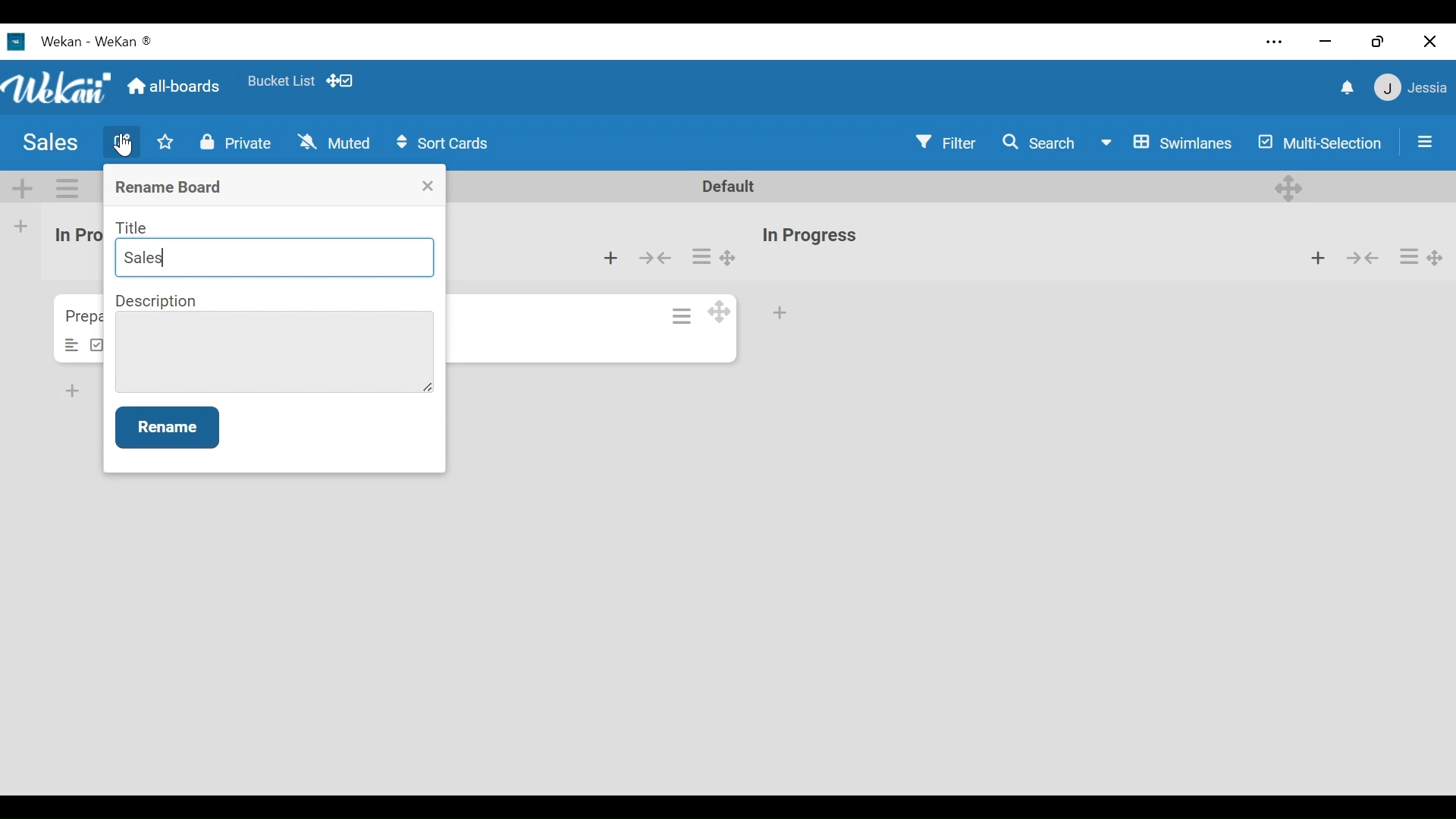 The height and width of the screenshot is (819, 1456). What do you see at coordinates (701, 255) in the screenshot?
I see `List actions` at bounding box center [701, 255].